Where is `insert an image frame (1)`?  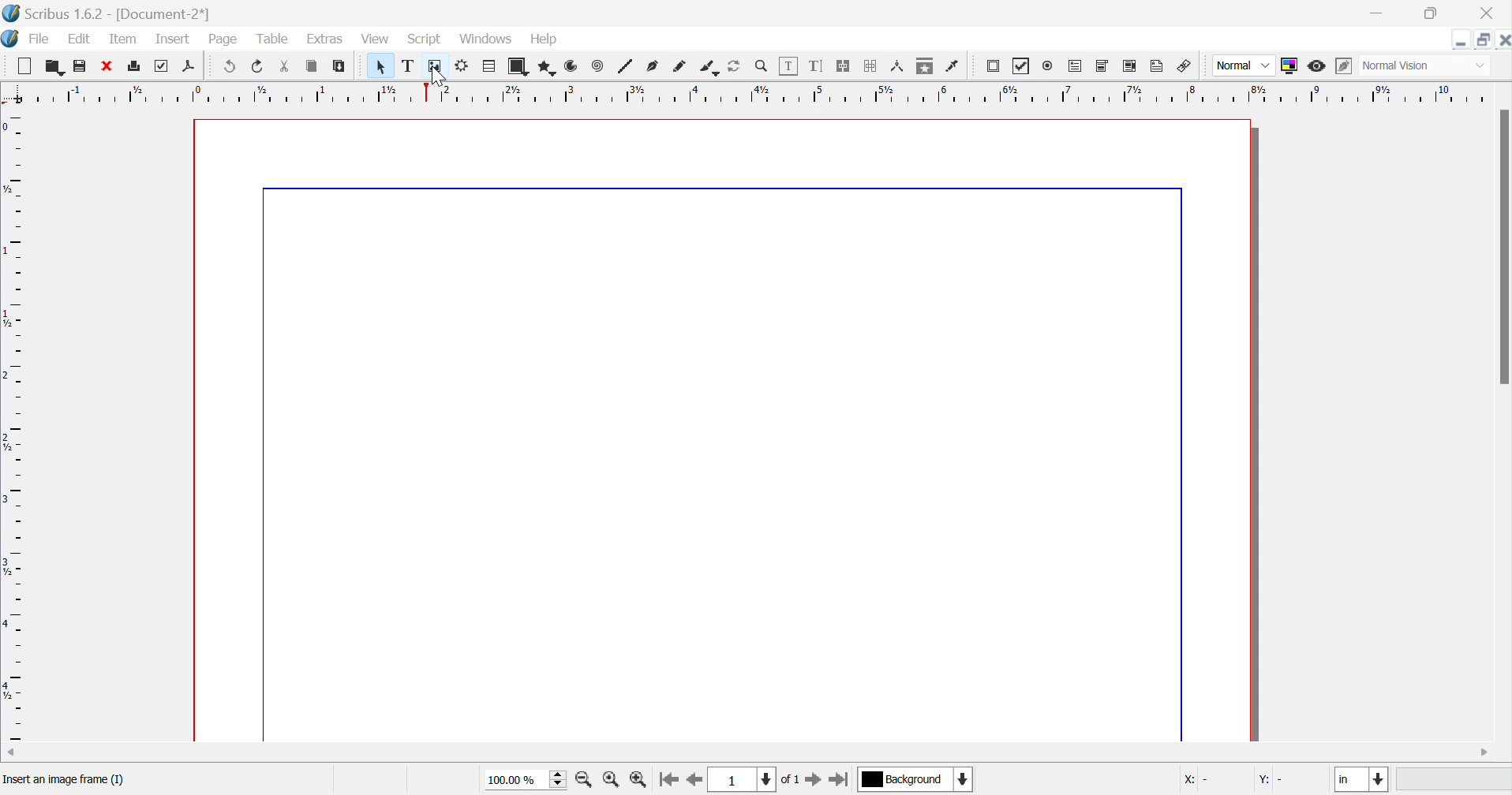
insert an image frame (1) is located at coordinates (66, 782).